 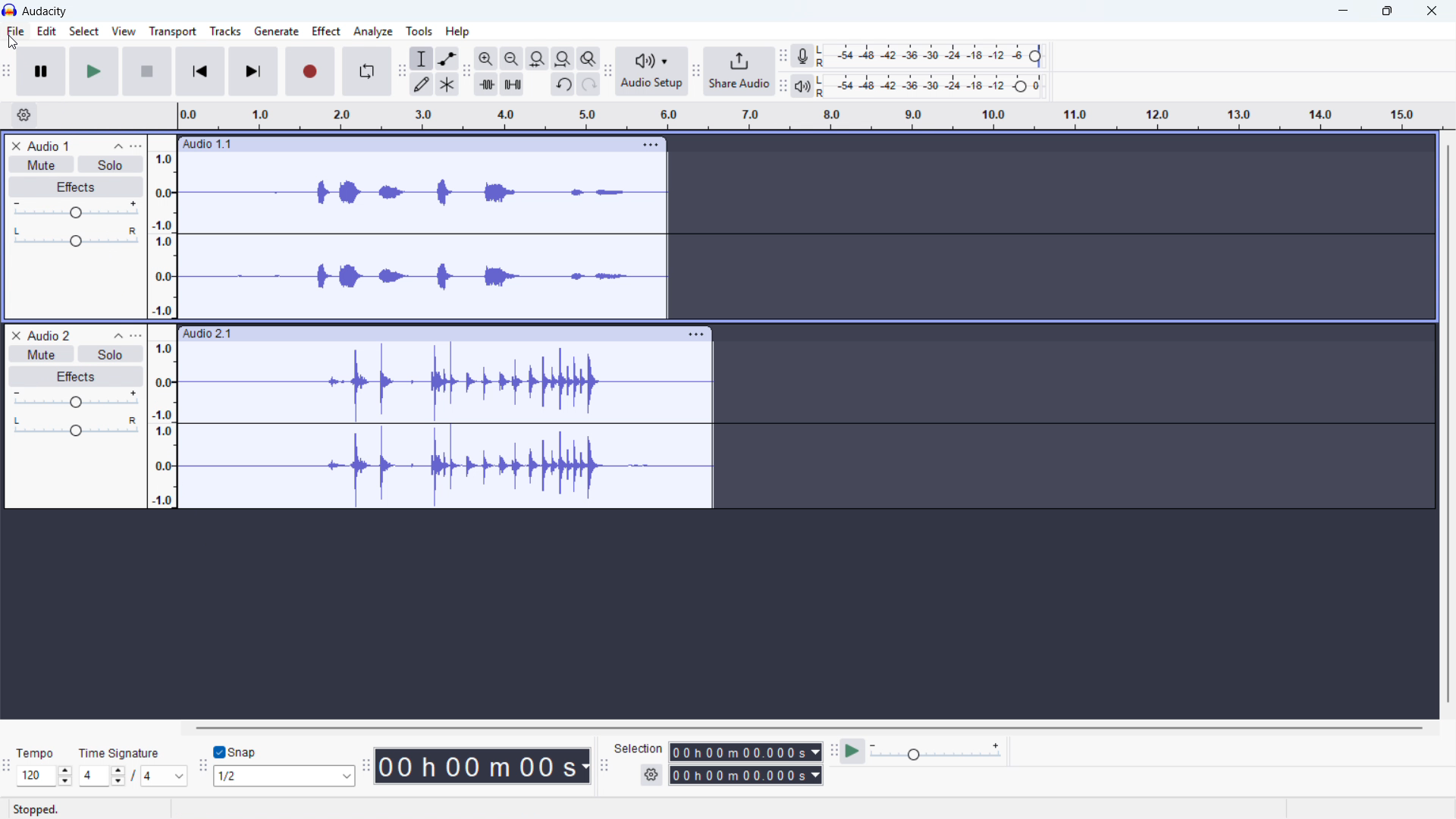 I want to click on Generate , so click(x=277, y=31).